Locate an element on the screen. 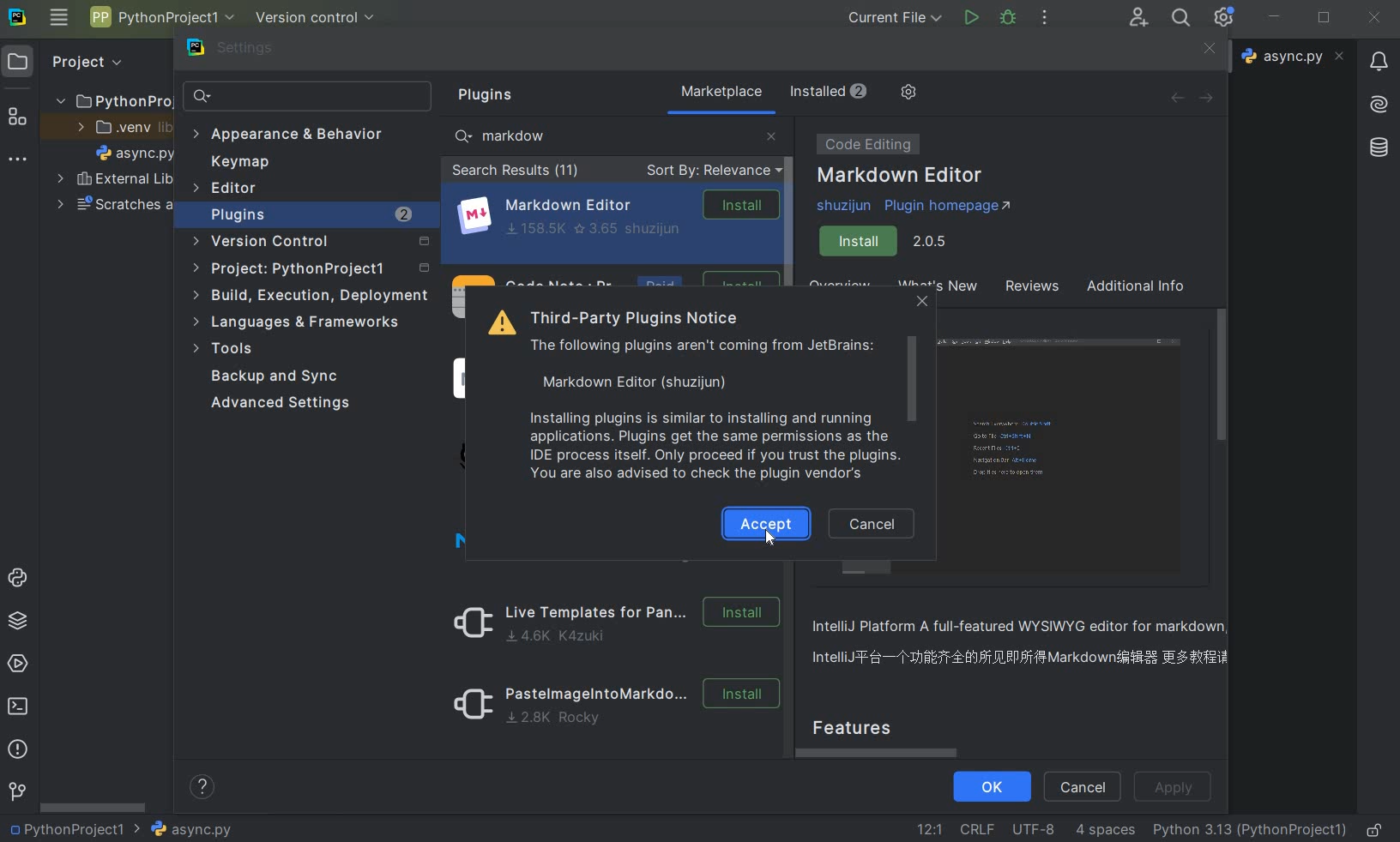  minimize is located at coordinates (1276, 18).